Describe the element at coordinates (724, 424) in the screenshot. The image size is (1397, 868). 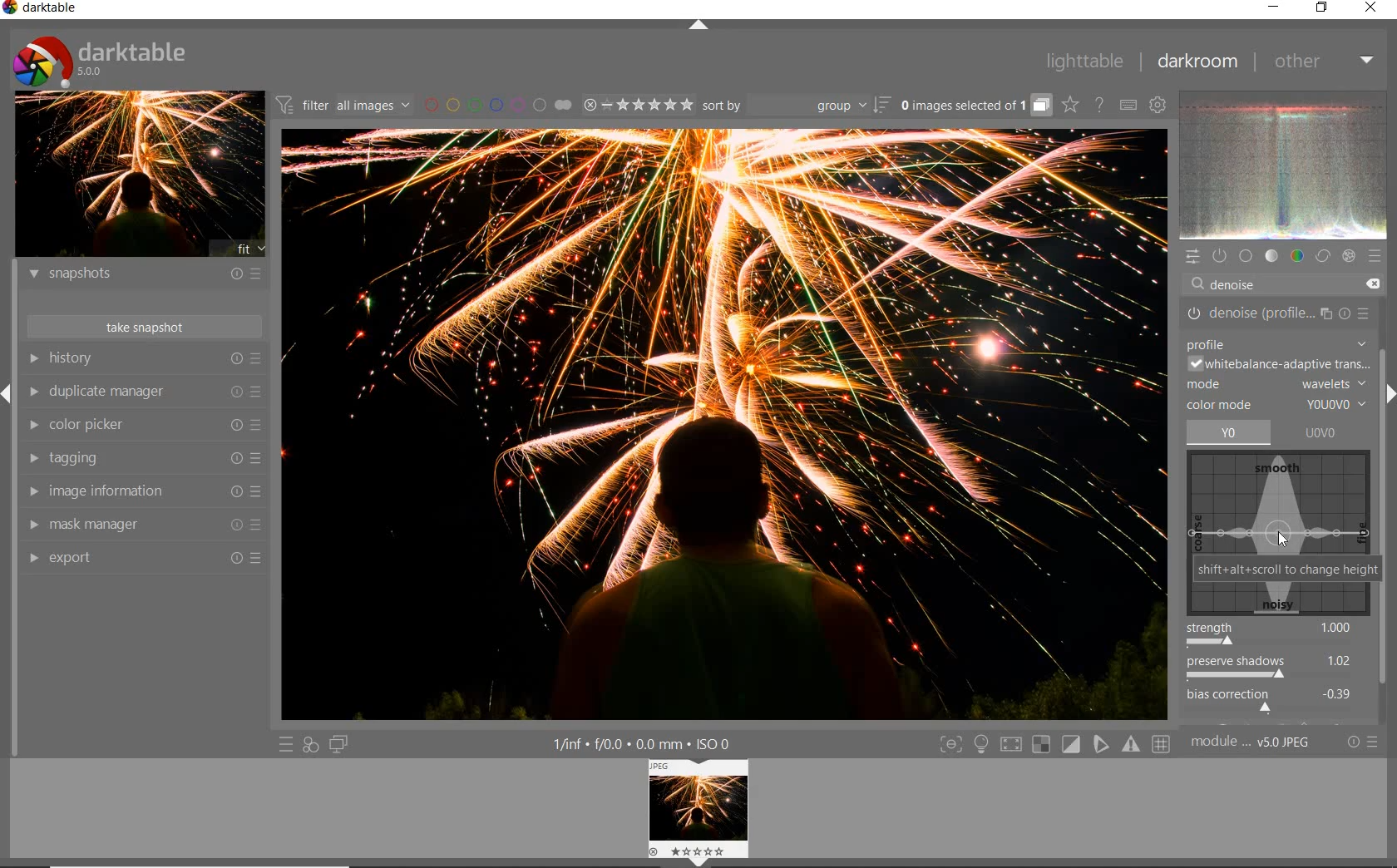
I see `selected image` at that location.